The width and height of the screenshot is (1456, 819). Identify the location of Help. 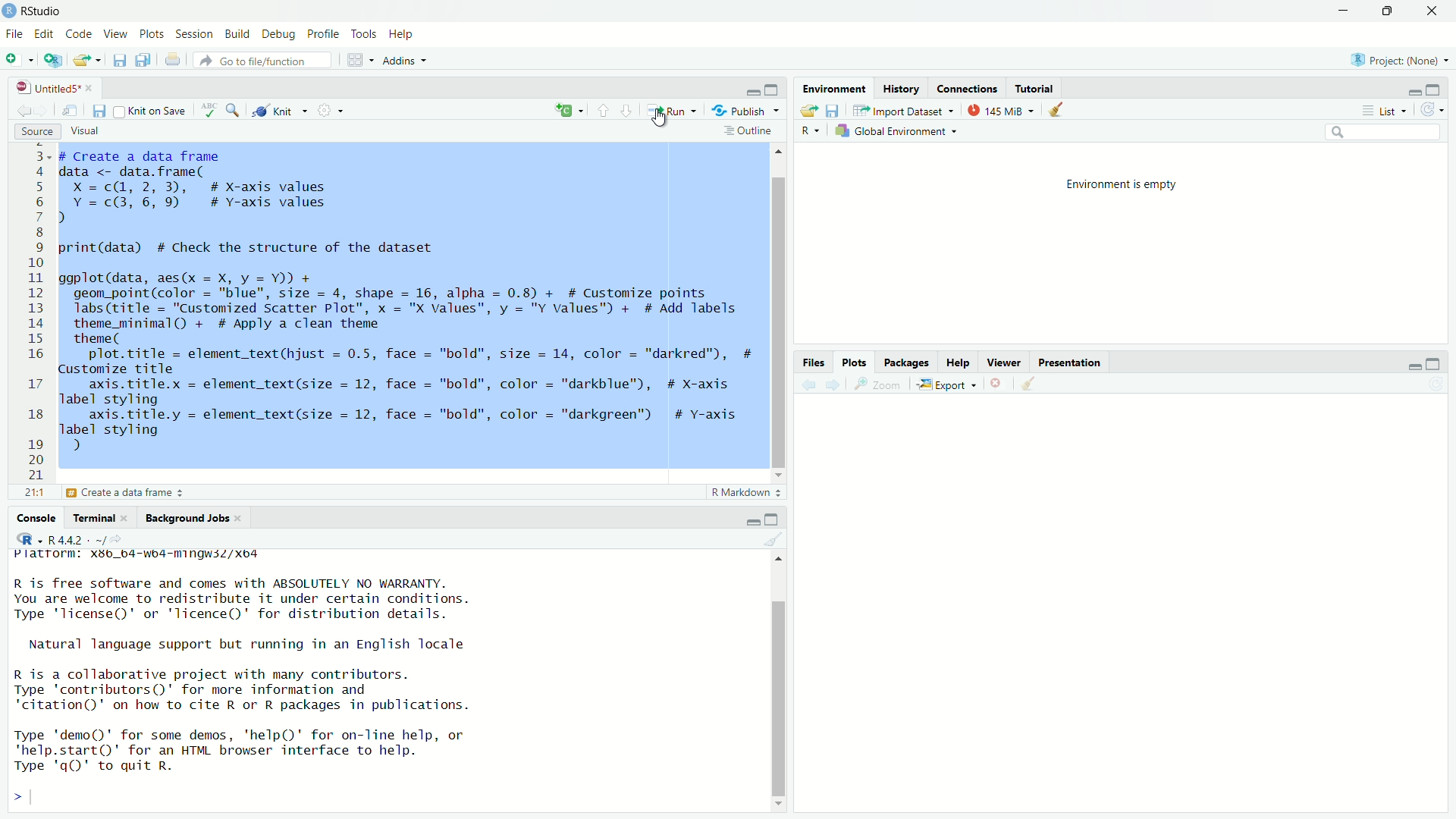
(955, 365).